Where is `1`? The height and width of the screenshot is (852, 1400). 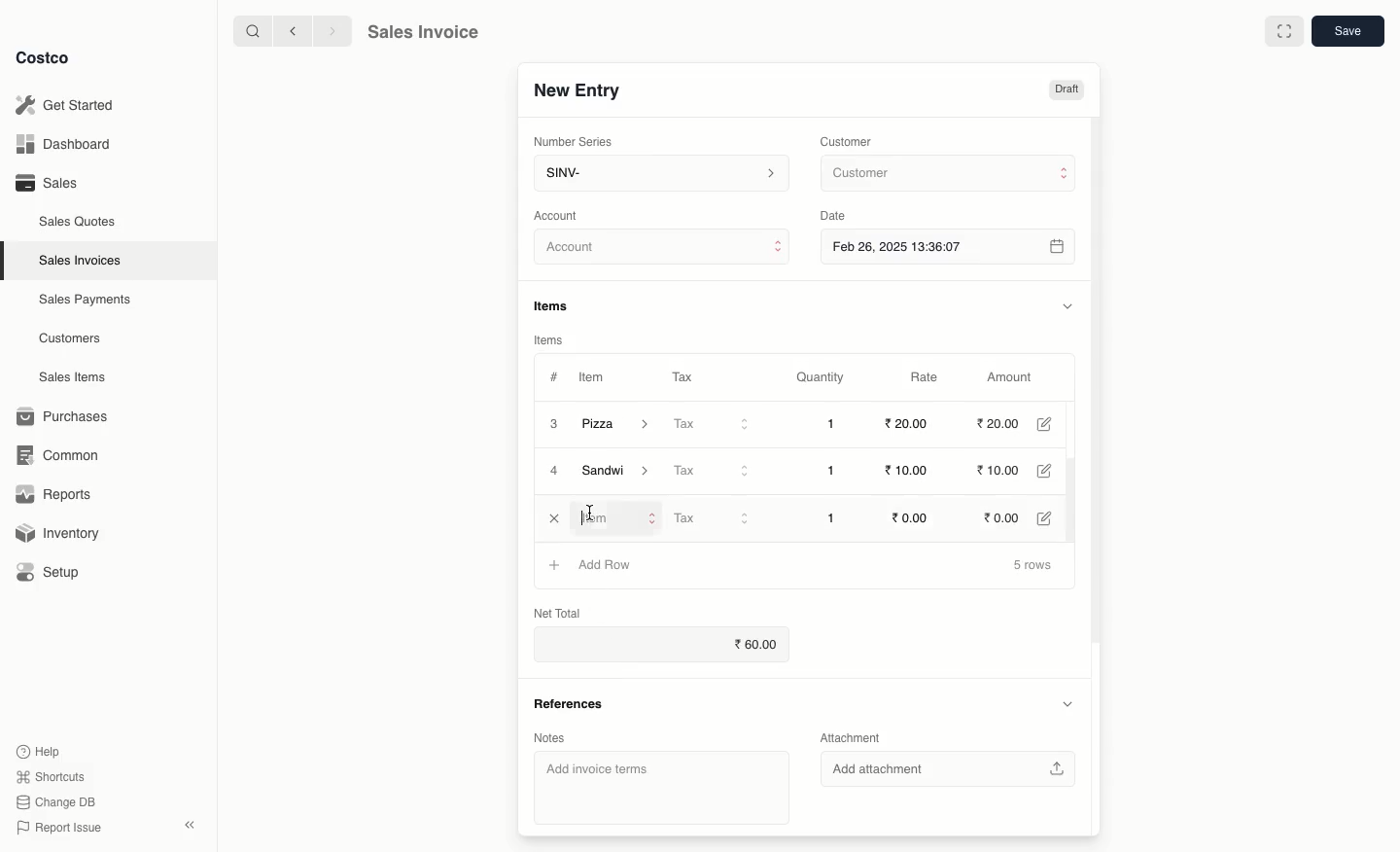
1 is located at coordinates (836, 424).